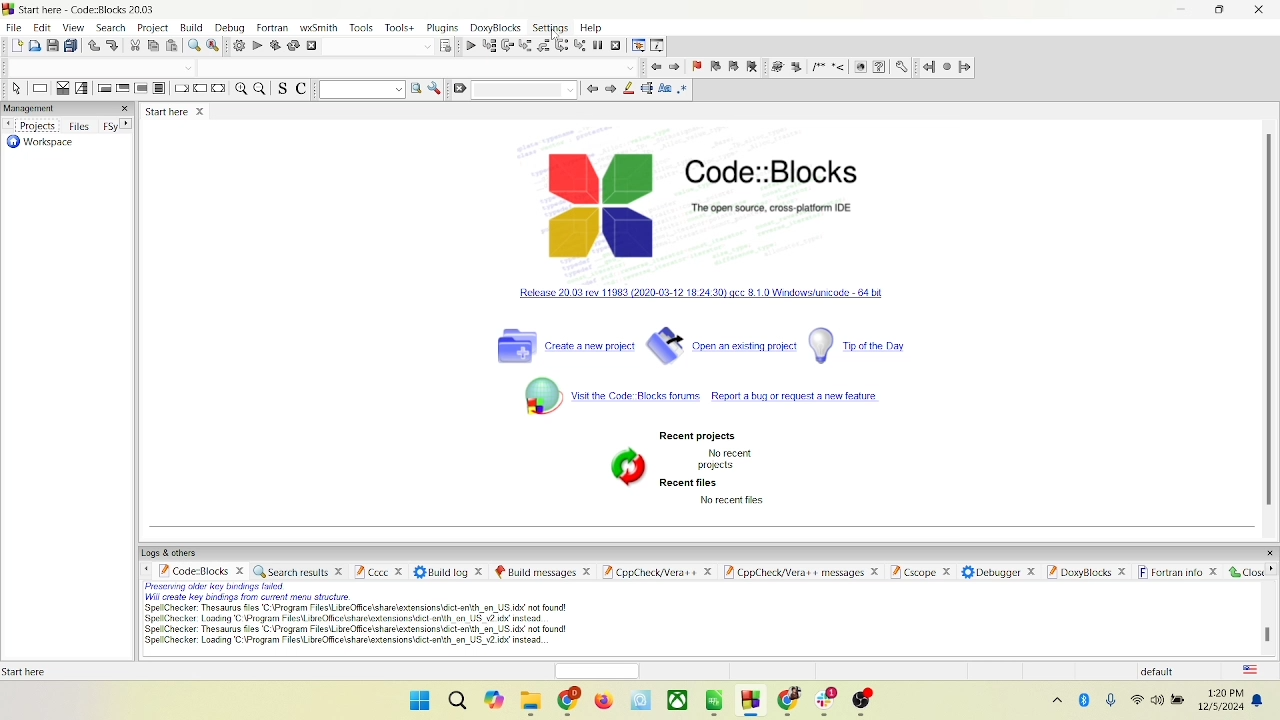 The image size is (1280, 720). What do you see at coordinates (615, 394) in the screenshot?
I see `code block forum` at bounding box center [615, 394].